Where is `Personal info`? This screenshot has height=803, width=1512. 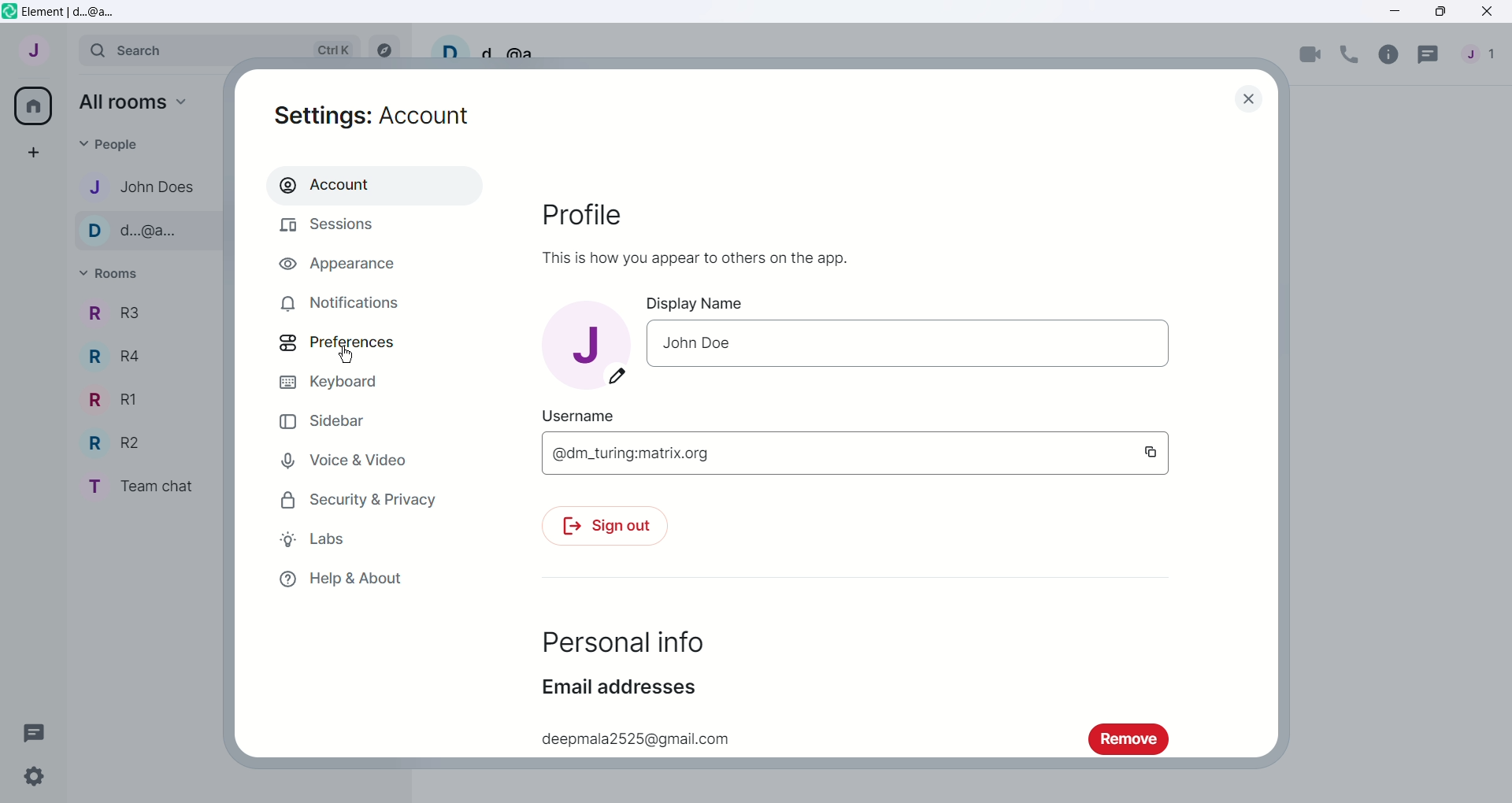 Personal info is located at coordinates (623, 642).